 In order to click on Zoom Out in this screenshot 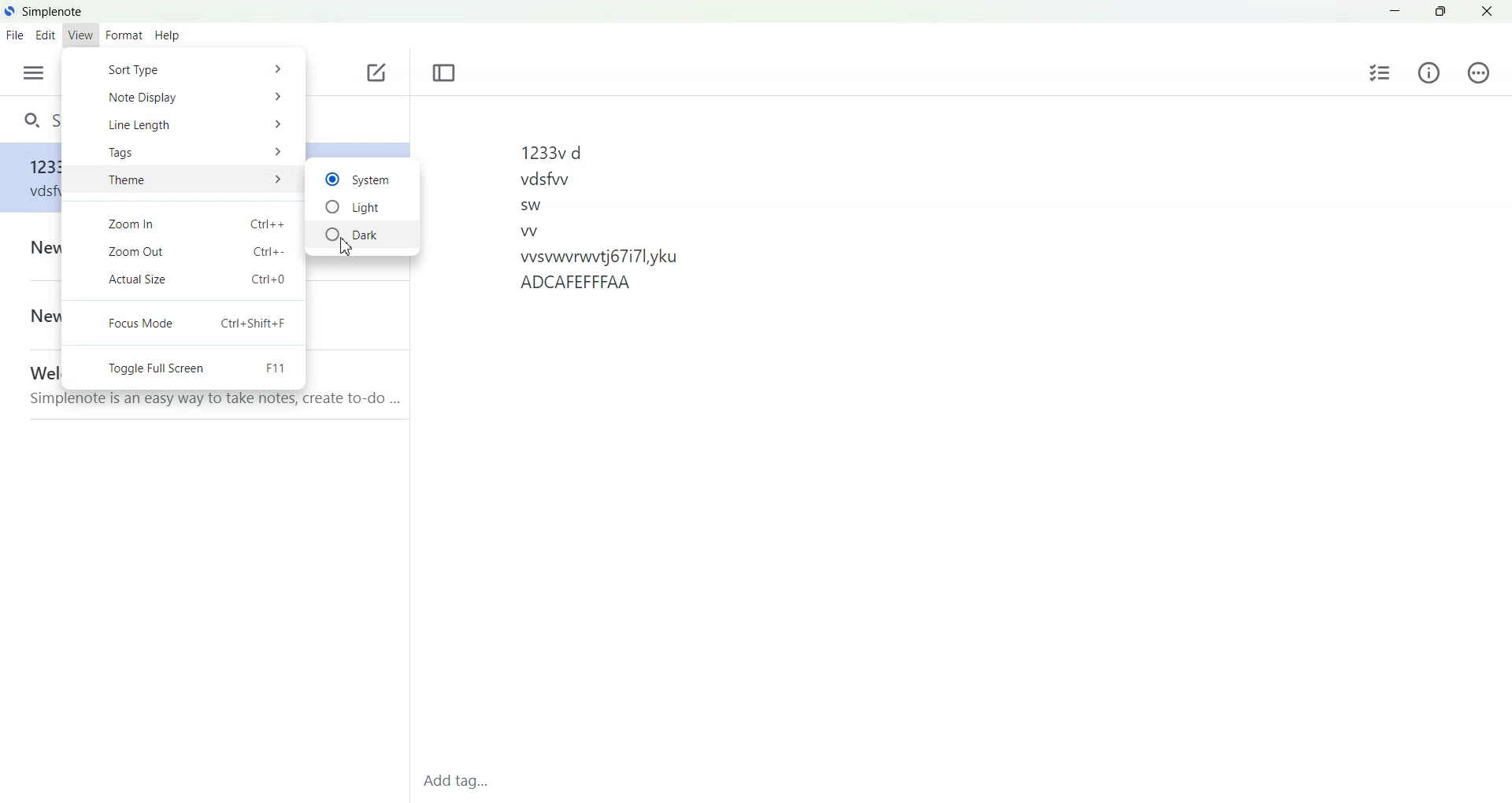, I will do `click(183, 252)`.